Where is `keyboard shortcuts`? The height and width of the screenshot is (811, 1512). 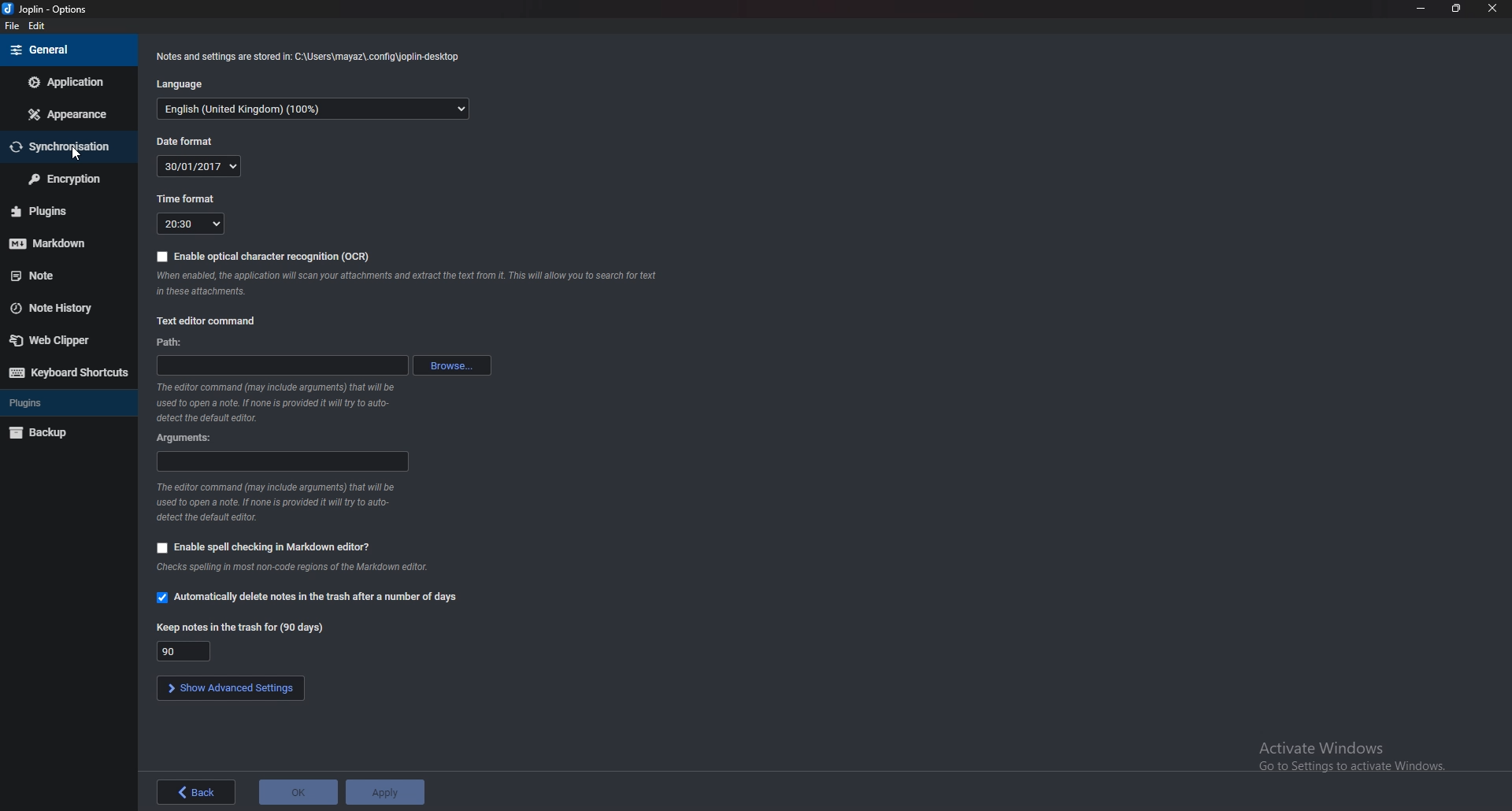 keyboard shortcuts is located at coordinates (68, 373).